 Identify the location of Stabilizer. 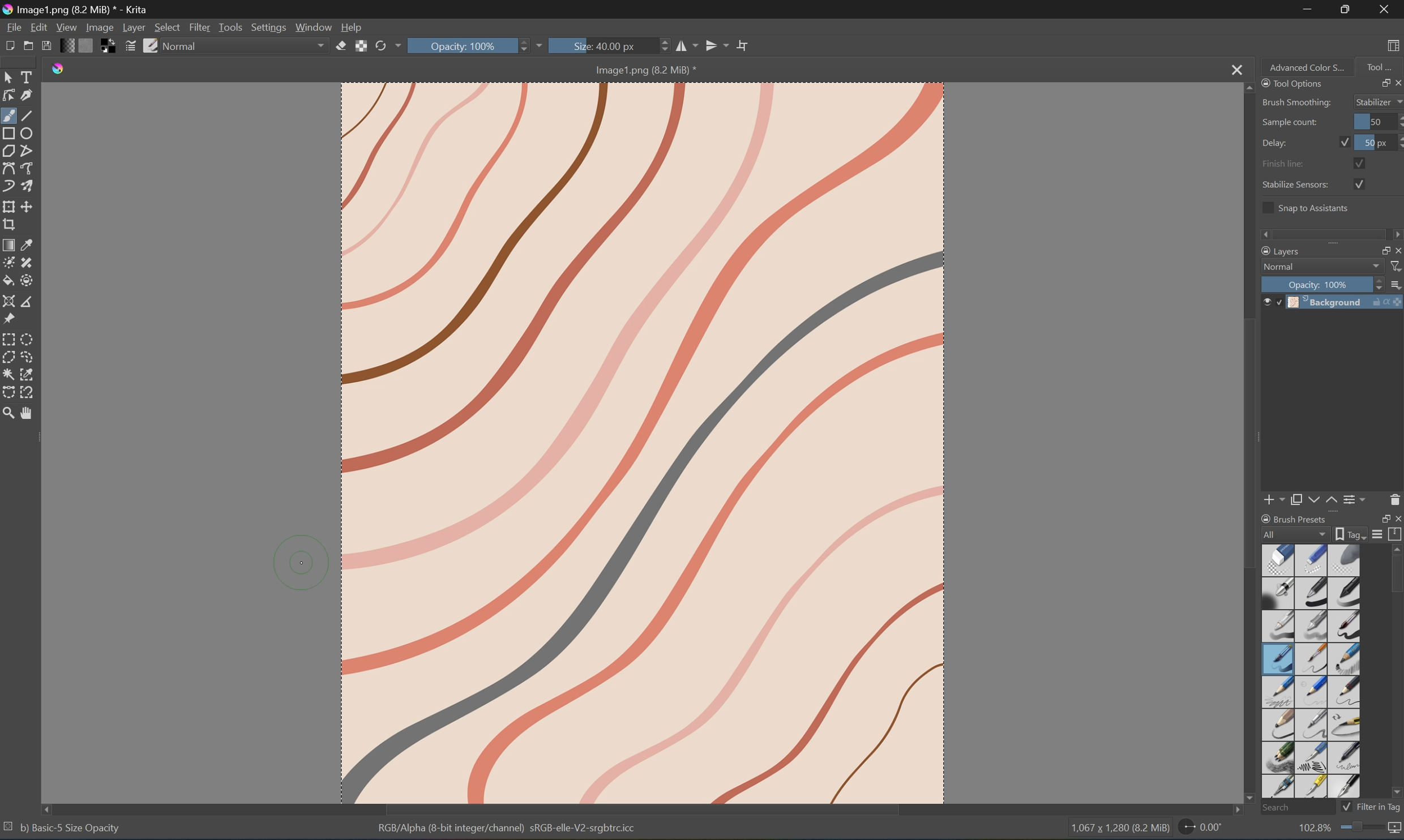
(1379, 101).